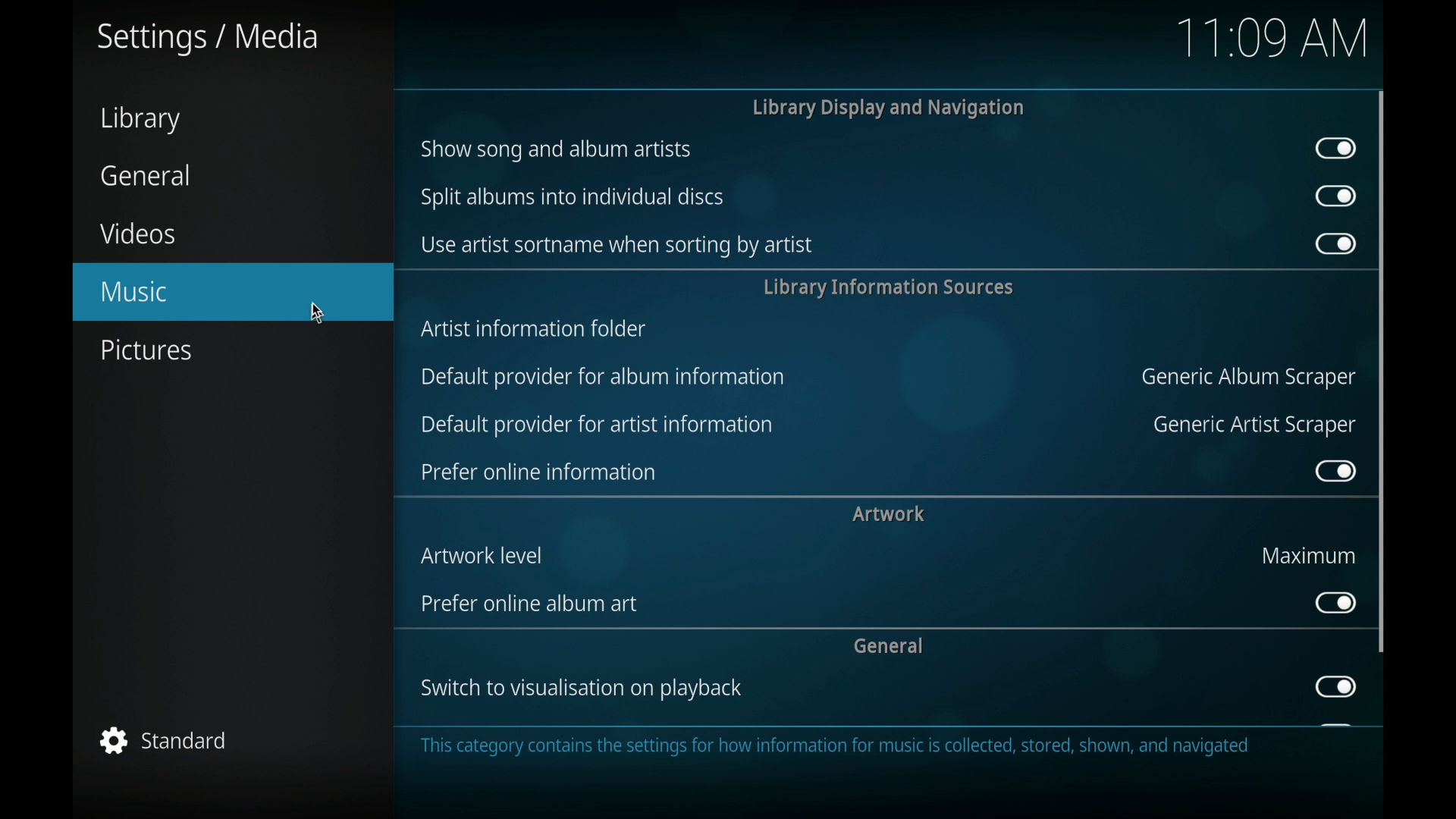 This screenshot has width=1456, height=819. Describe the element at coordinates (1335, 196) in the screenshot. I see `toggle button` at that location.